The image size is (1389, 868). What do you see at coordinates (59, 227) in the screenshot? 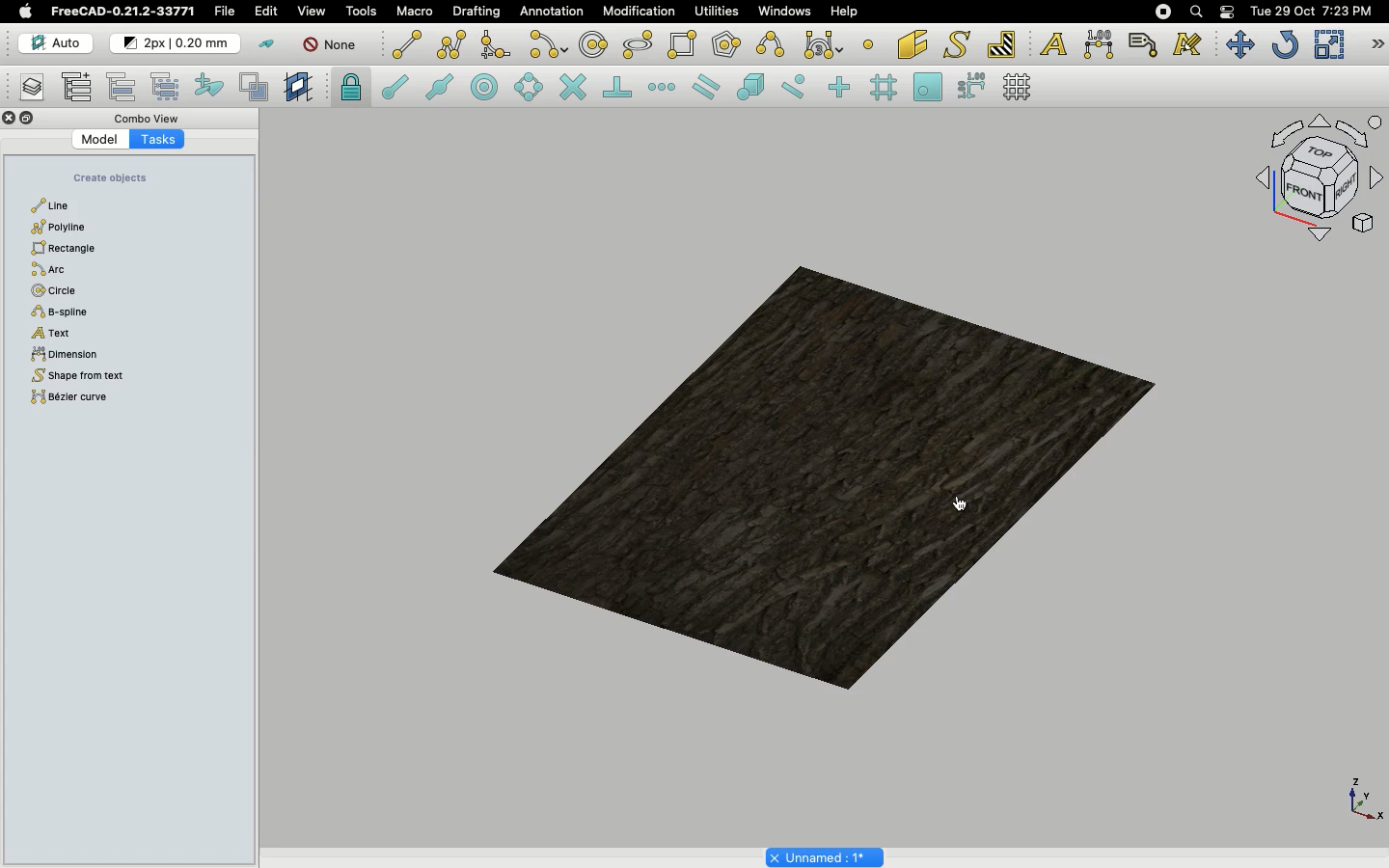
I see `Polyline` at bounding box center [59, 227].